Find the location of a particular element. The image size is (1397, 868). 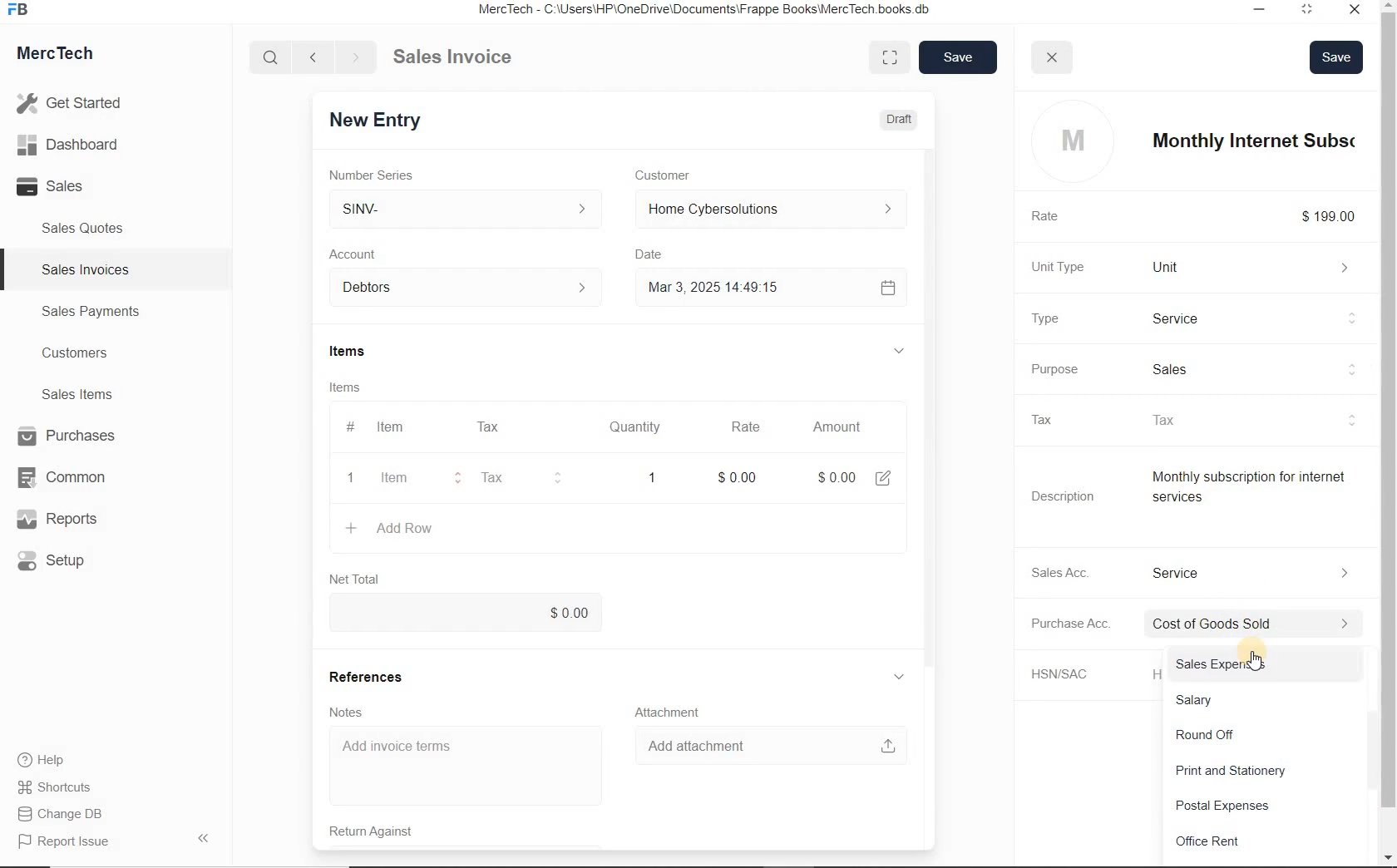

Mar 3, 2025 14:49:15 is located at coordinates (719, 289).